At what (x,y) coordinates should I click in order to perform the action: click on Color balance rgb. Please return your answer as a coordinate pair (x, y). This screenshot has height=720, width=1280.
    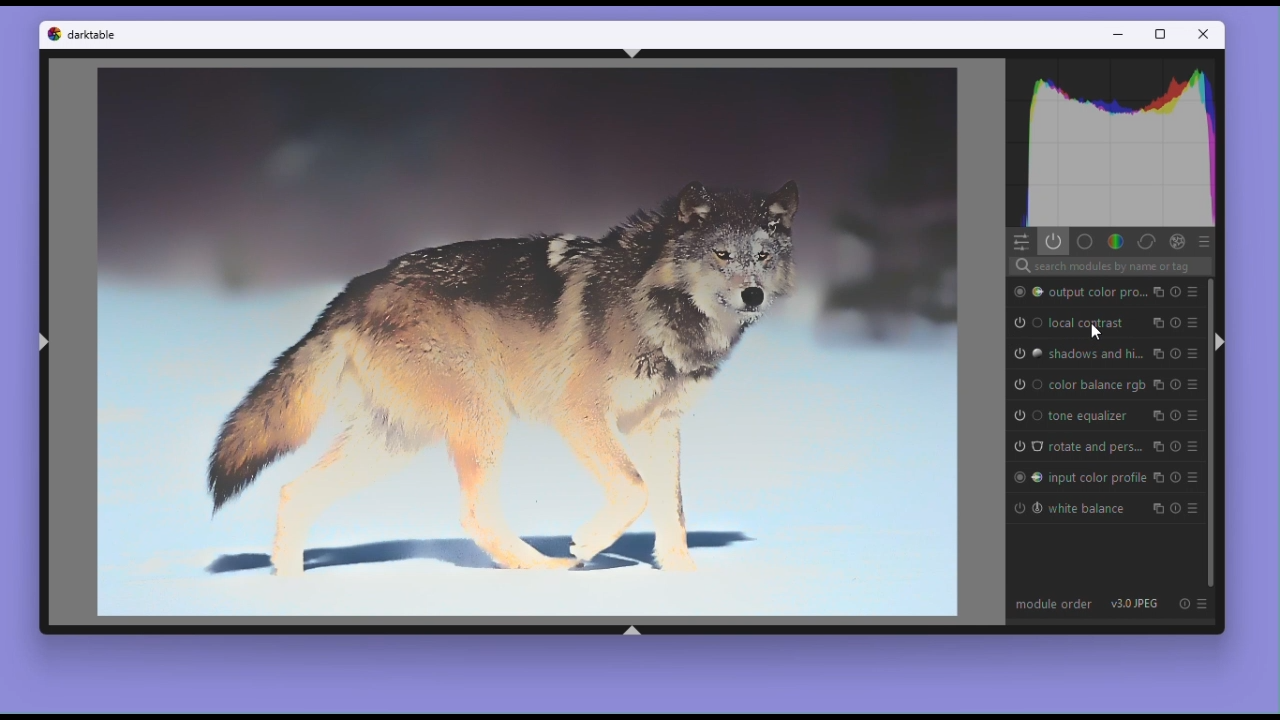
    Looking at the image, I should click on (1097, 386).